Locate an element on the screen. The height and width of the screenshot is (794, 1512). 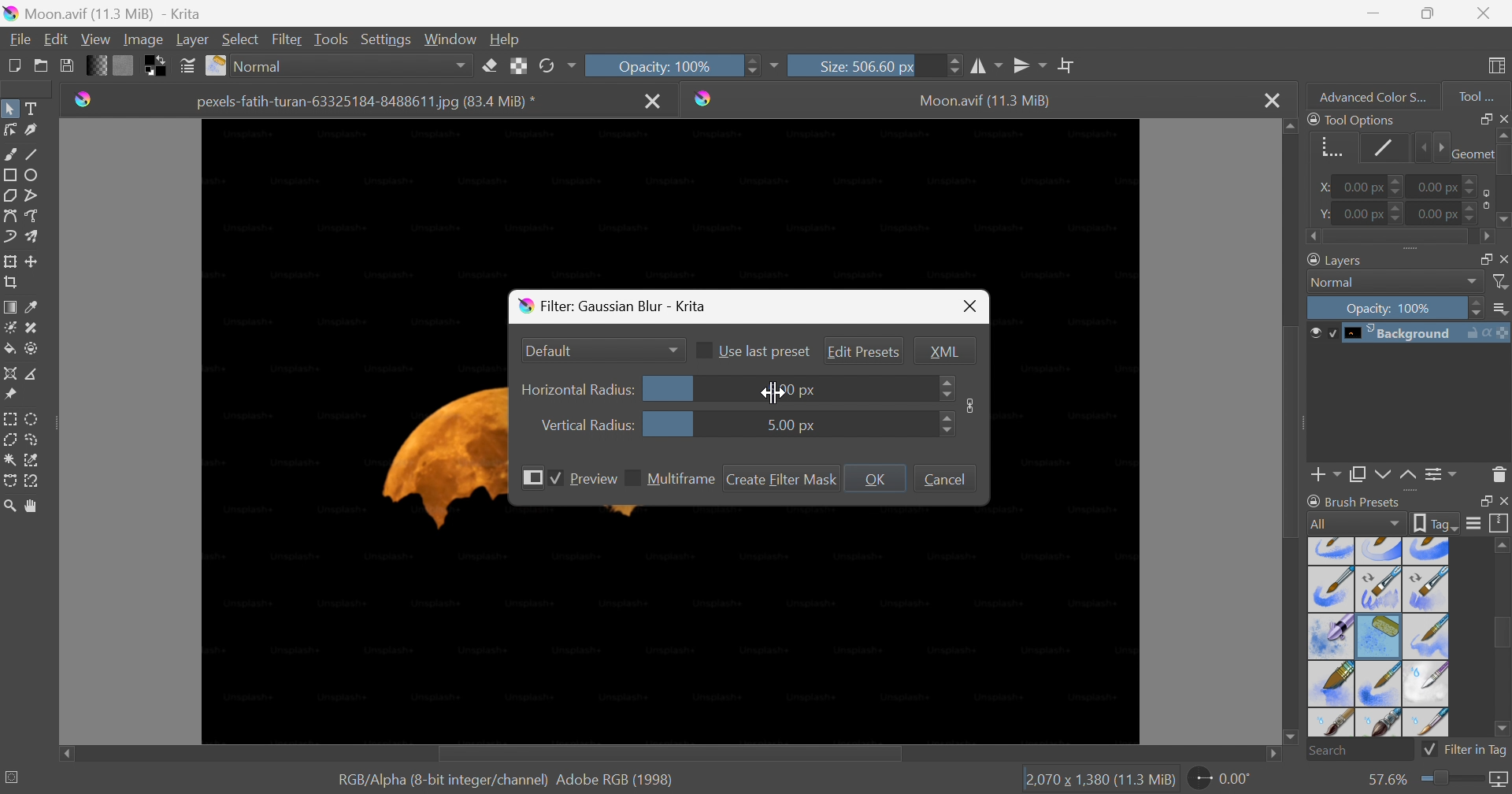
Adobe RGB (1998) is located at coordinates (613, 779).